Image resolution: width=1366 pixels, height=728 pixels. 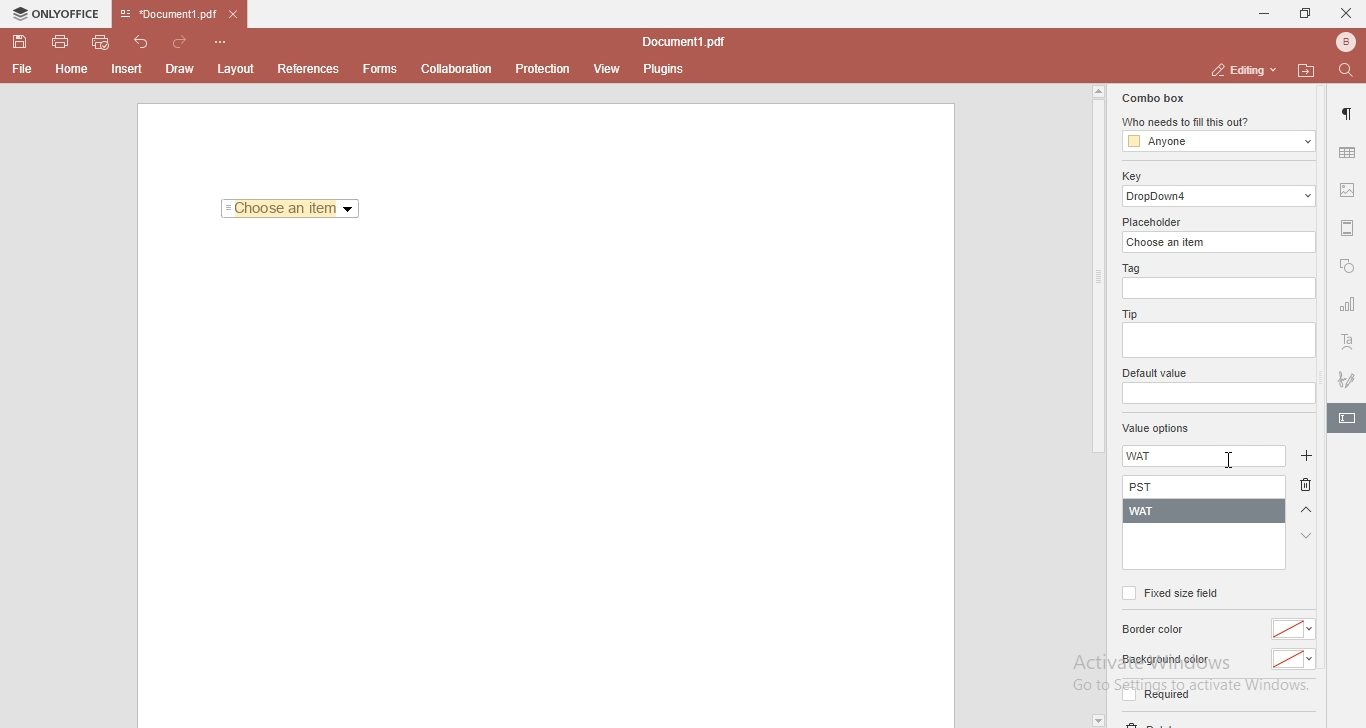 What do you see at coordinates (102, 41) in the screenshot?
I see `quick print` at bounding box center [102, 41].